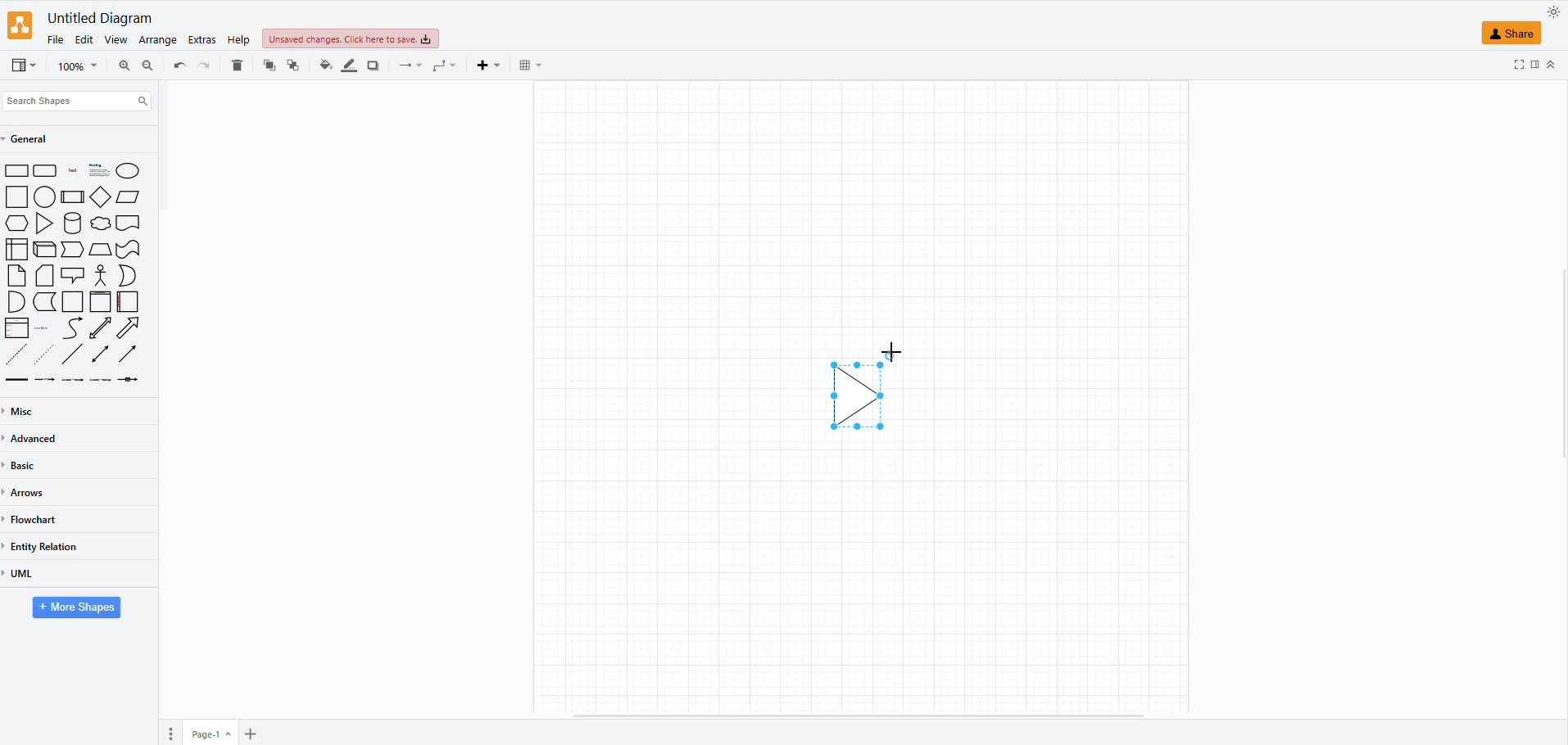  I want to click on format, so click(1533, 66).